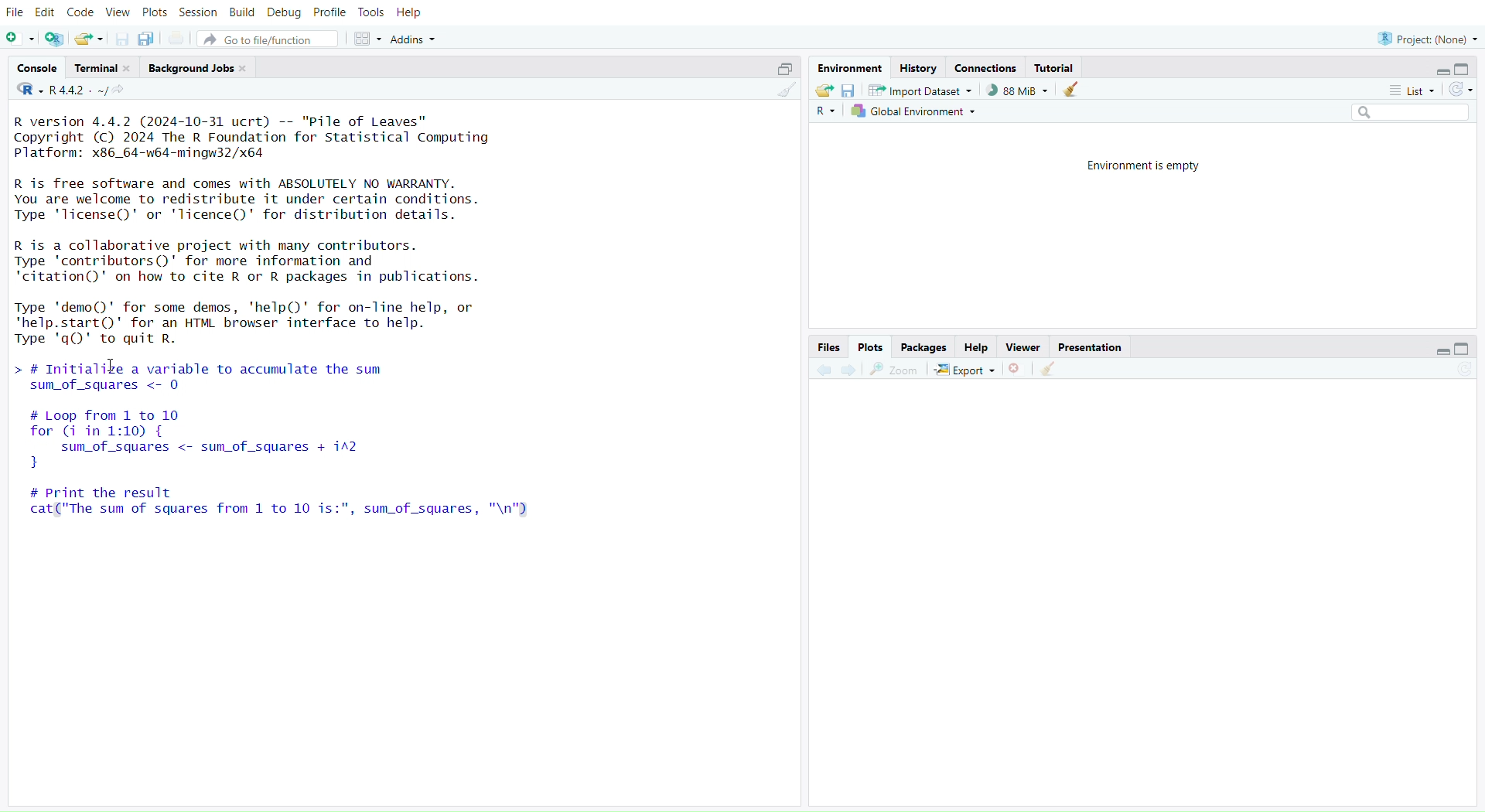 This screenshot has width=1485, height=812. What do you see at coordinates (121, 90) in the screenshot?
I see `view the current working directory` at bounding box center [121, 90].